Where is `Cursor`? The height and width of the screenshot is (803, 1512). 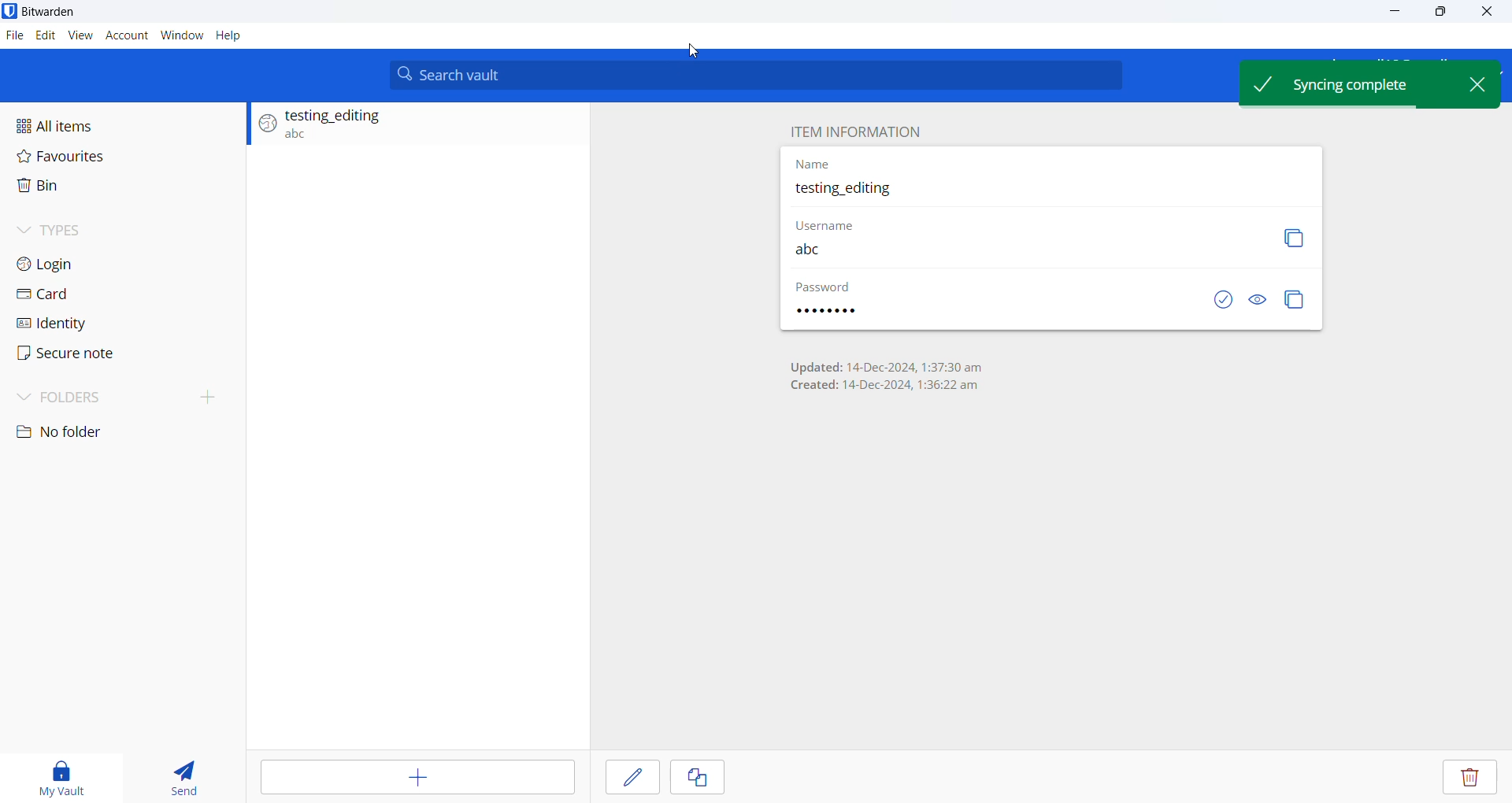 Cursor is located at coordinates (696, 53).